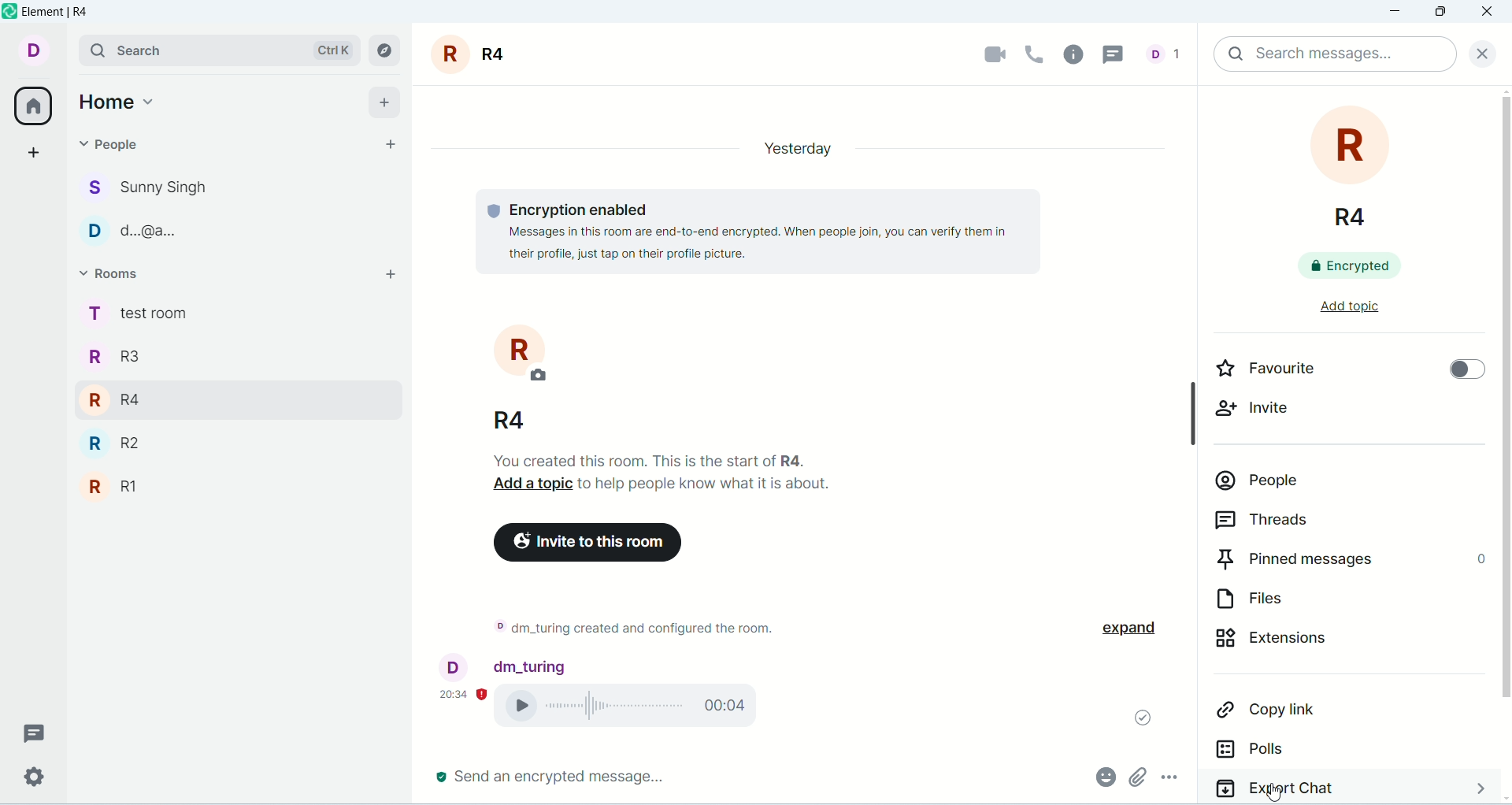  What do you see at coordinates (35, 733) in the screenshot?
I see `threads` at bounding box center [35, 733].